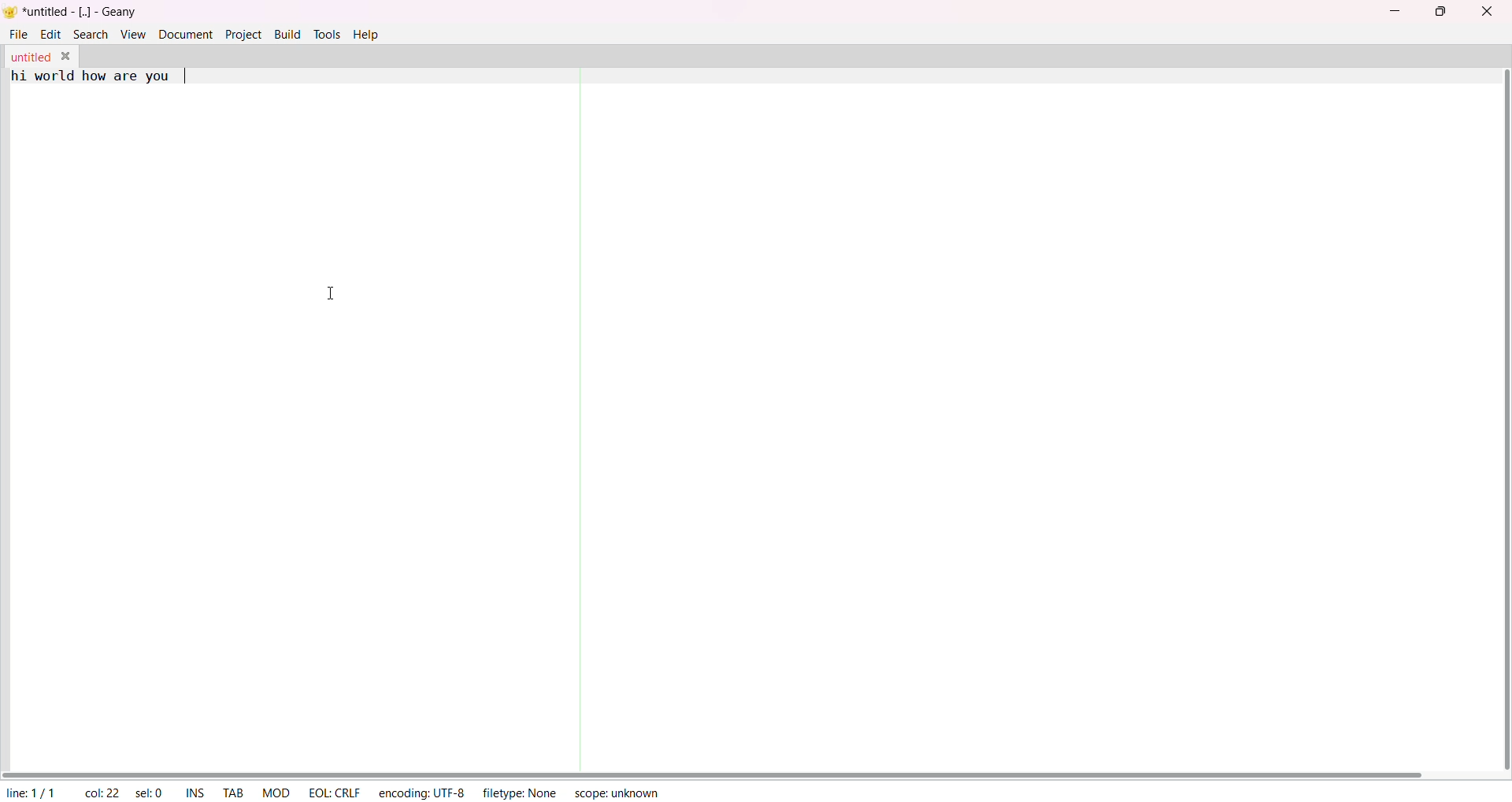 Image resolution: width=1512 pixels, height=802 pixels. Describe the element at coordinates (327, 34) in the screenshot. I see `tools` at that location.